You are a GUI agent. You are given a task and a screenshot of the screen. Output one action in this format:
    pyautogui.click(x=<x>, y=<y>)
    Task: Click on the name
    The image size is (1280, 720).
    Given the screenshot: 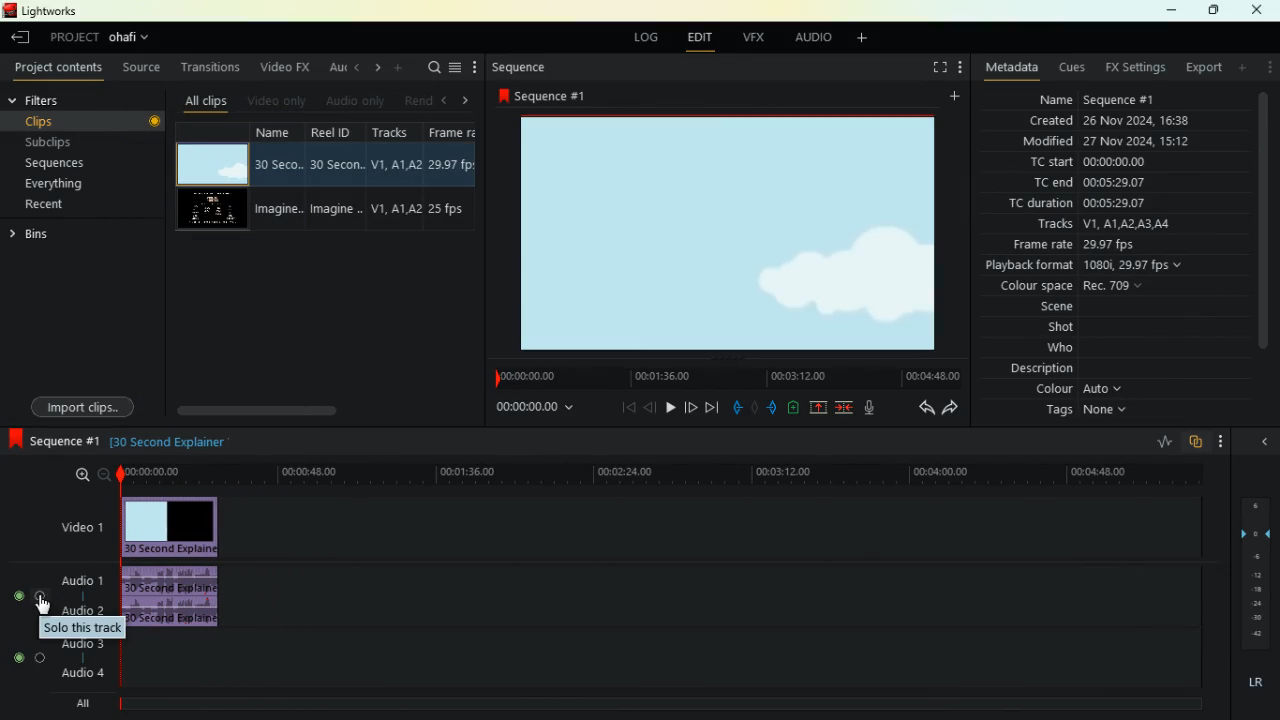 What is the action you would take?
    pyautogui.click(x=278, y=178)
    